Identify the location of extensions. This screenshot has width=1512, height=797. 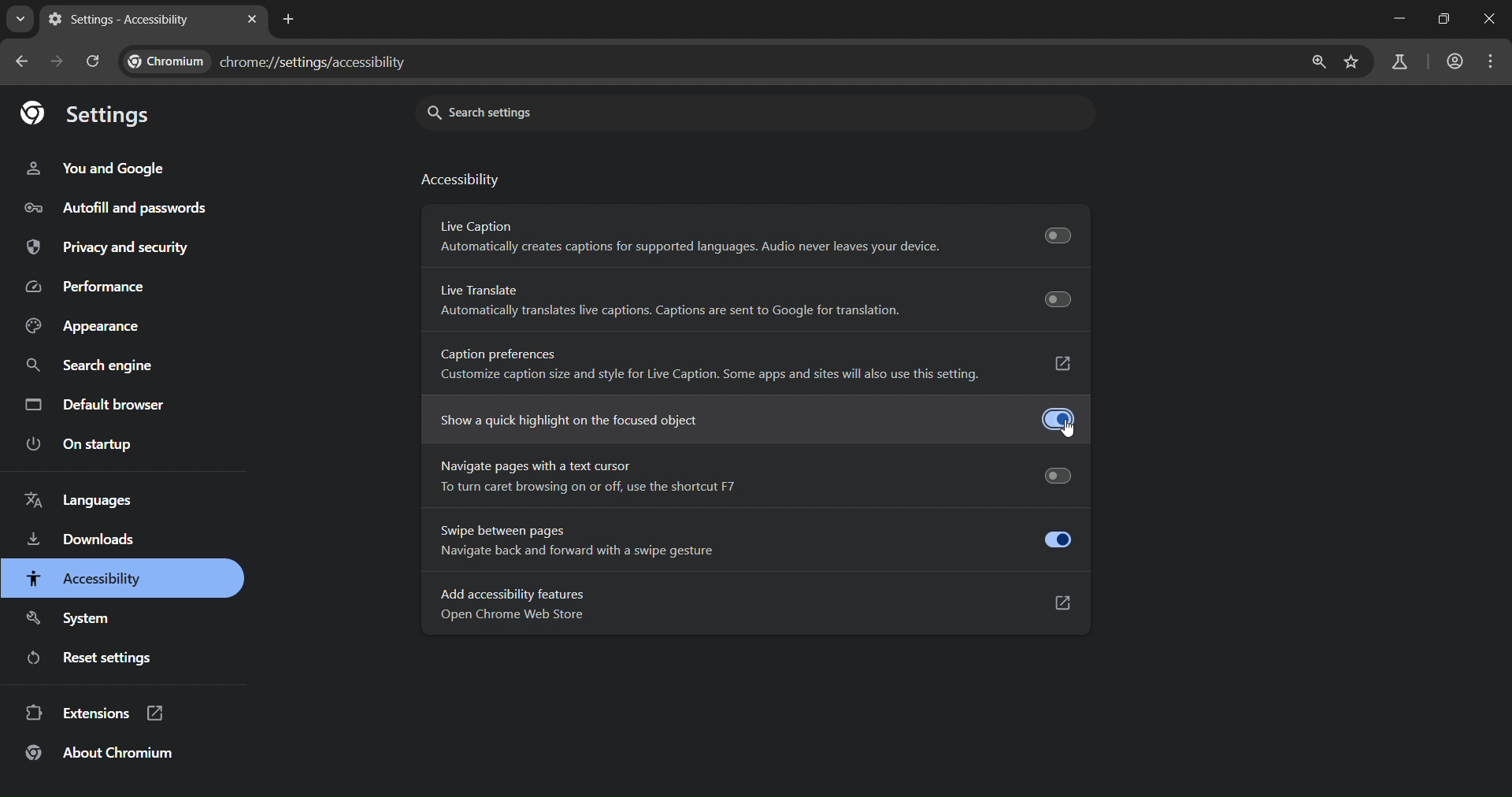
(95, 714).